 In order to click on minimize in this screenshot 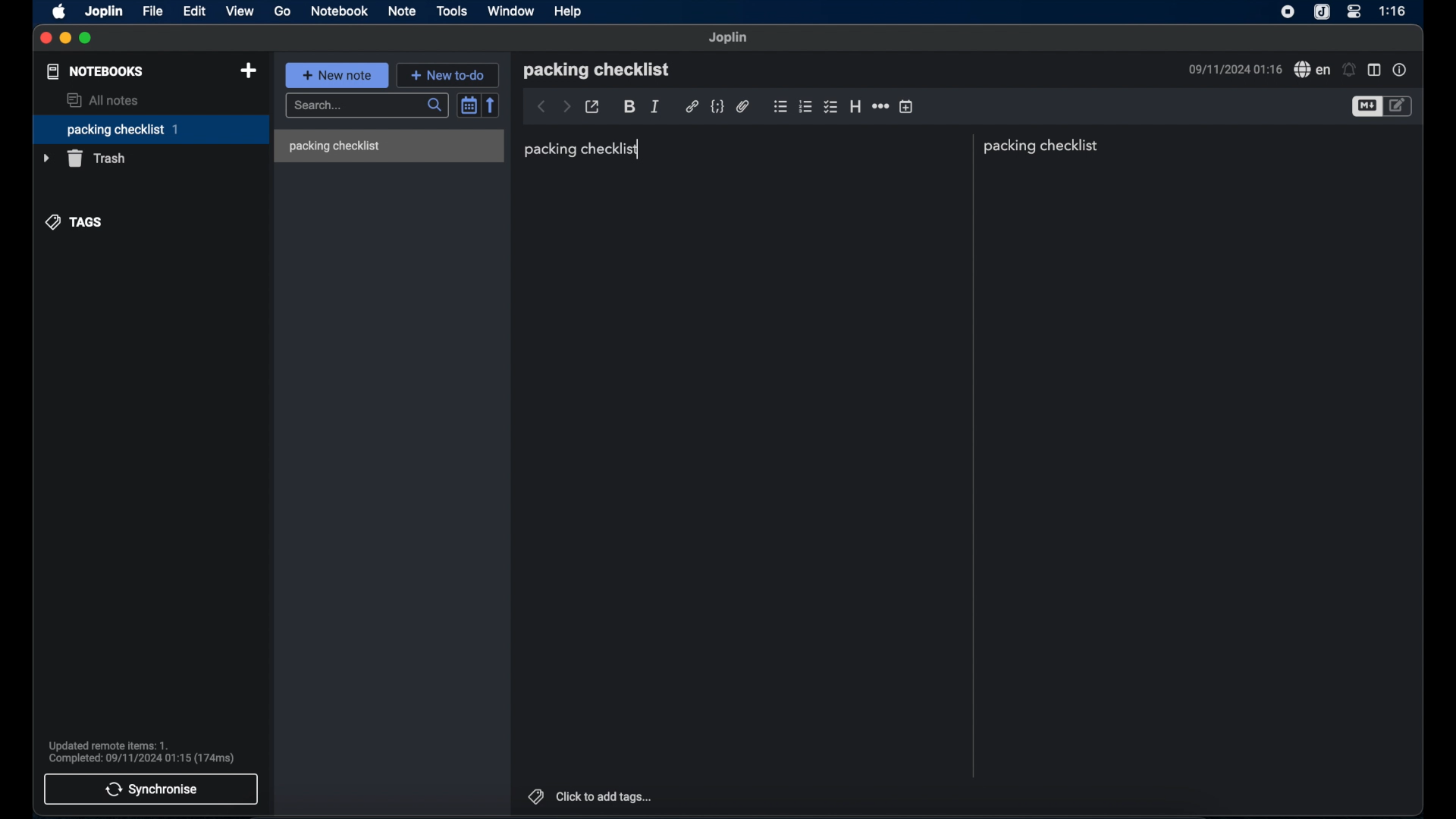, I will do `click(65, 39)`.